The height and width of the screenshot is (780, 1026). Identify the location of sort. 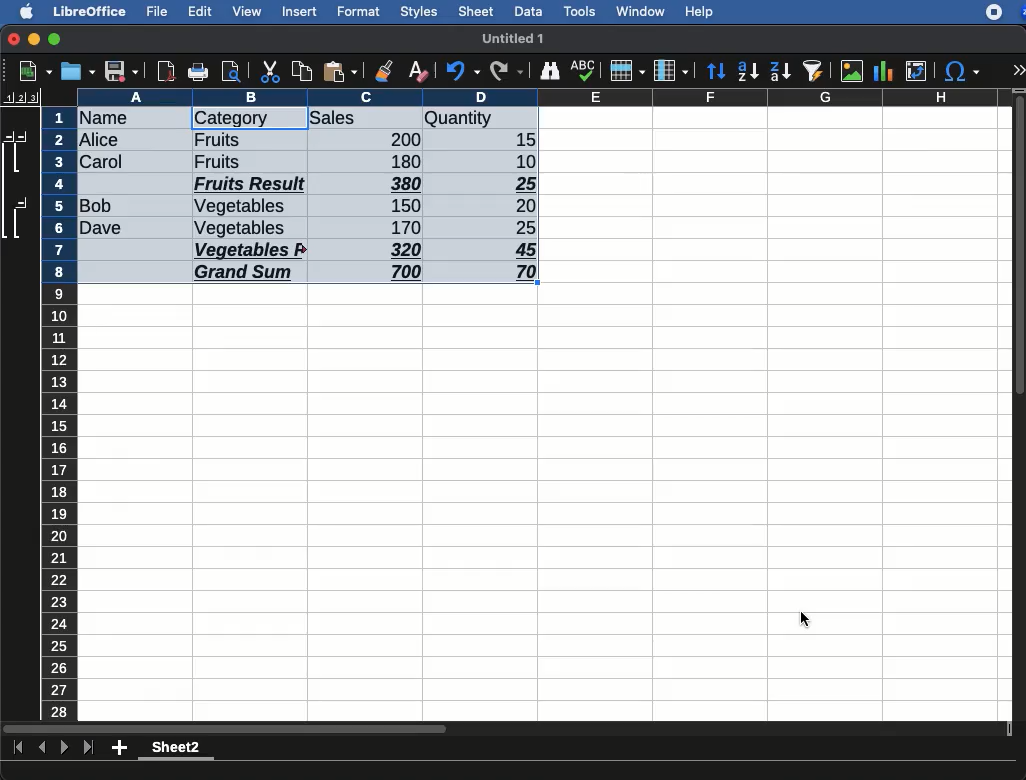
(715, 72).